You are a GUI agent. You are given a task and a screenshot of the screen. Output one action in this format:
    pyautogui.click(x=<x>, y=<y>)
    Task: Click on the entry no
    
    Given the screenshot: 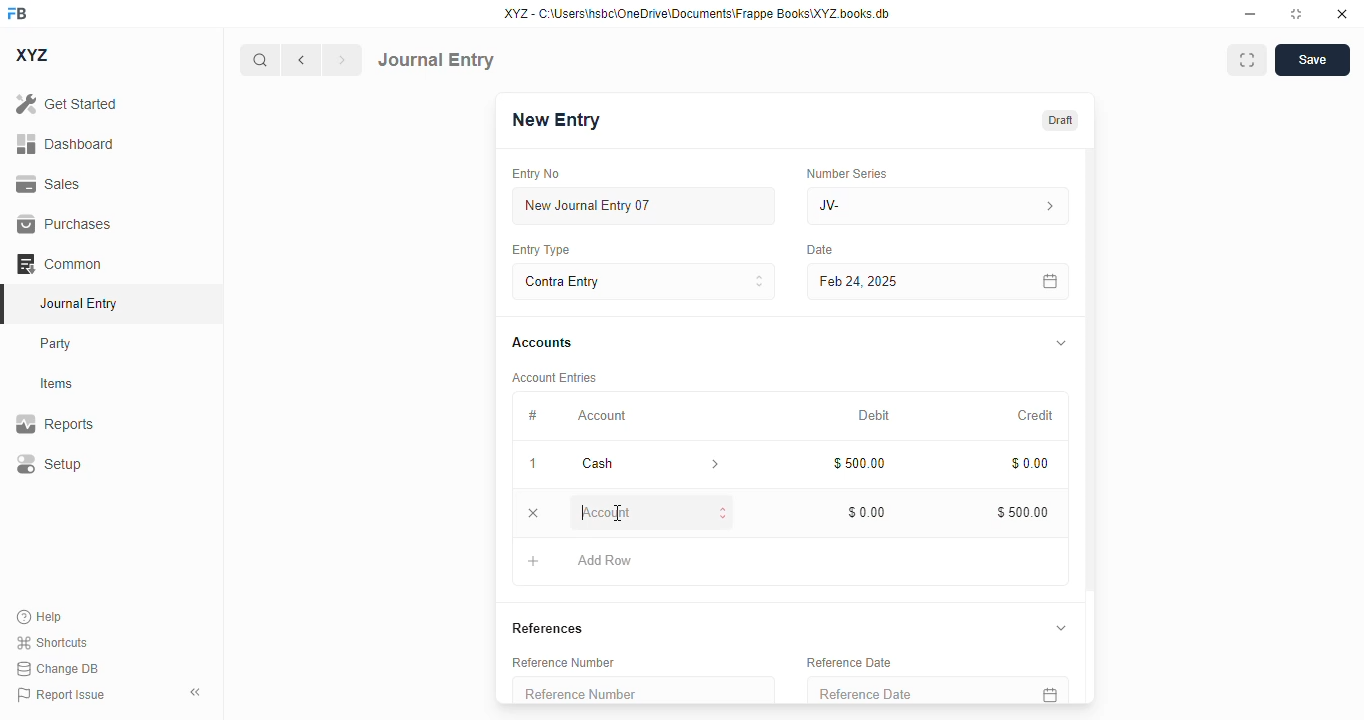 What is the action you would take?
    pyautogui.click(x=537, y=173)
    